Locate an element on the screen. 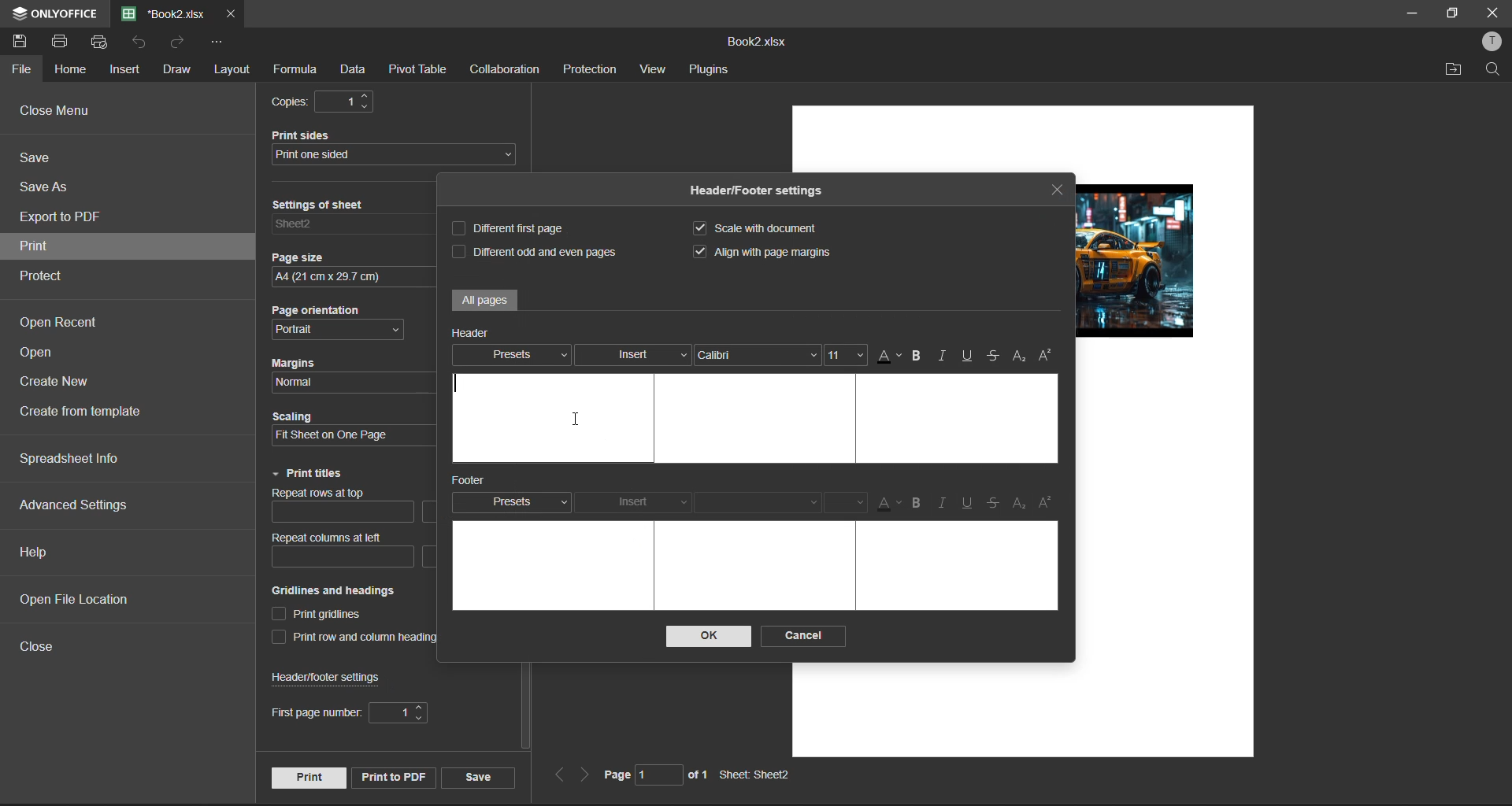  protect is located at coordinates (51, 277).